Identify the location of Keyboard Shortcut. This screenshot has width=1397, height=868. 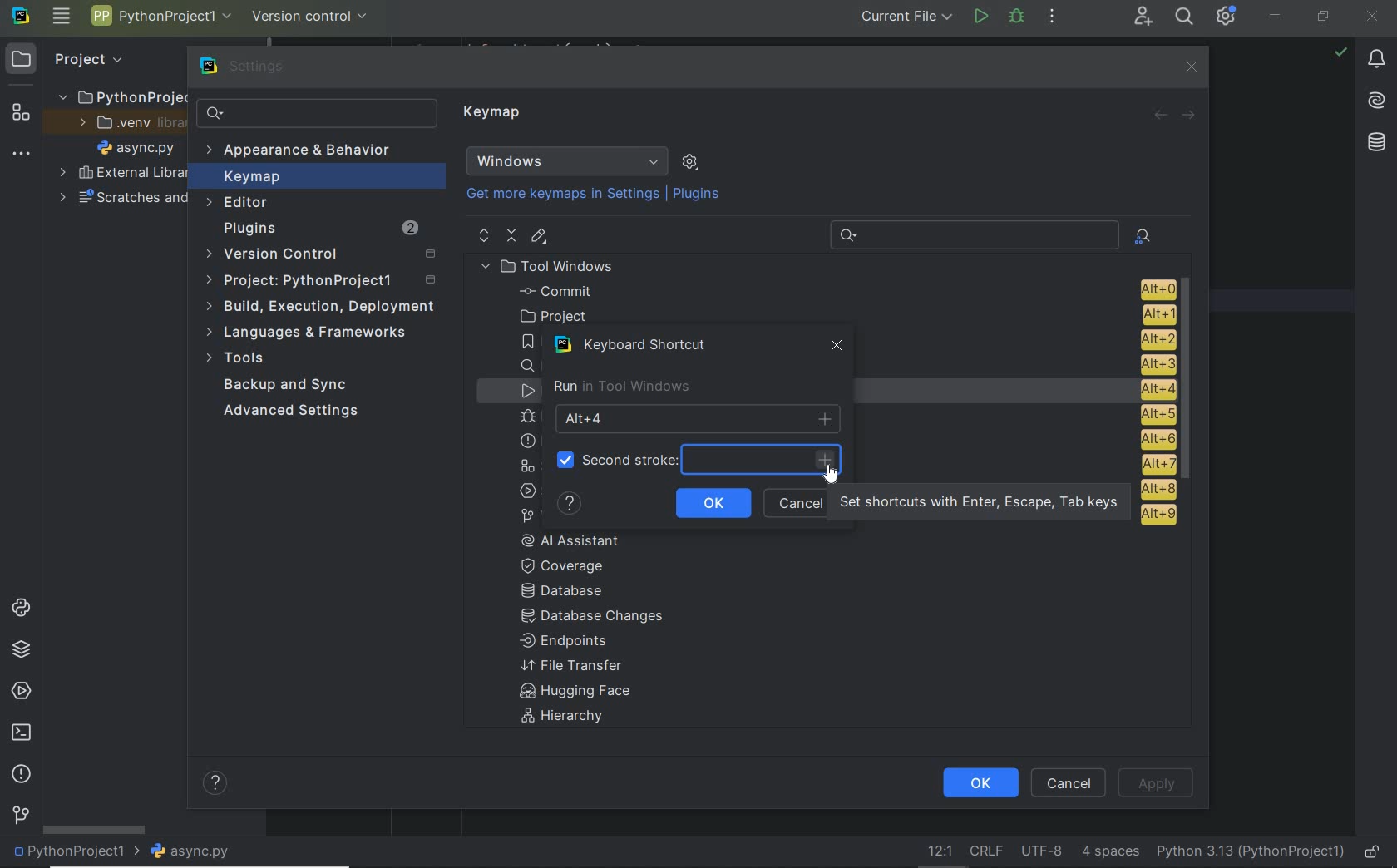
(638, 345).